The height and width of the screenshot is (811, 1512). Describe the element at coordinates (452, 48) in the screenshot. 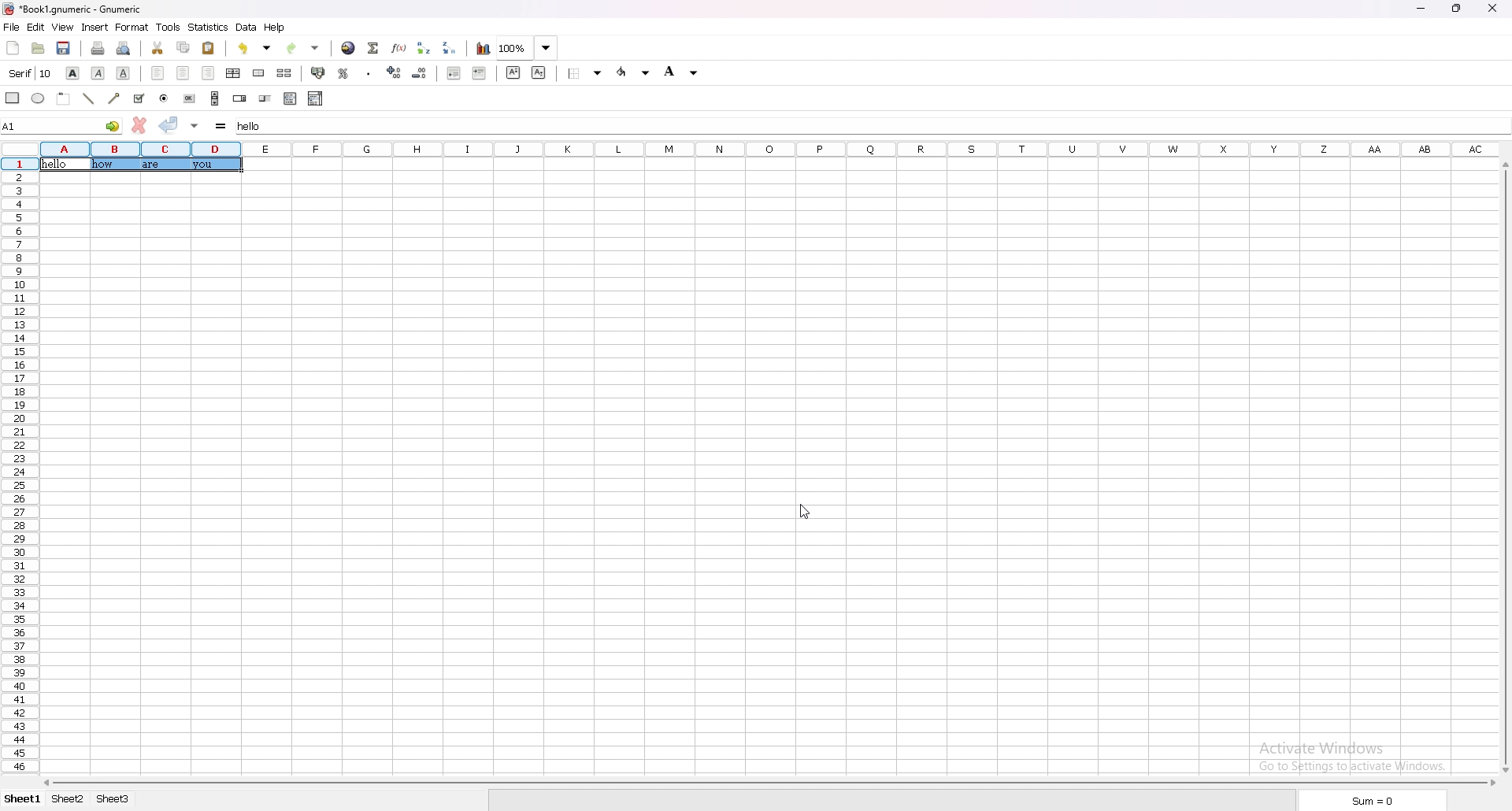

I see `sort descending` at that location.